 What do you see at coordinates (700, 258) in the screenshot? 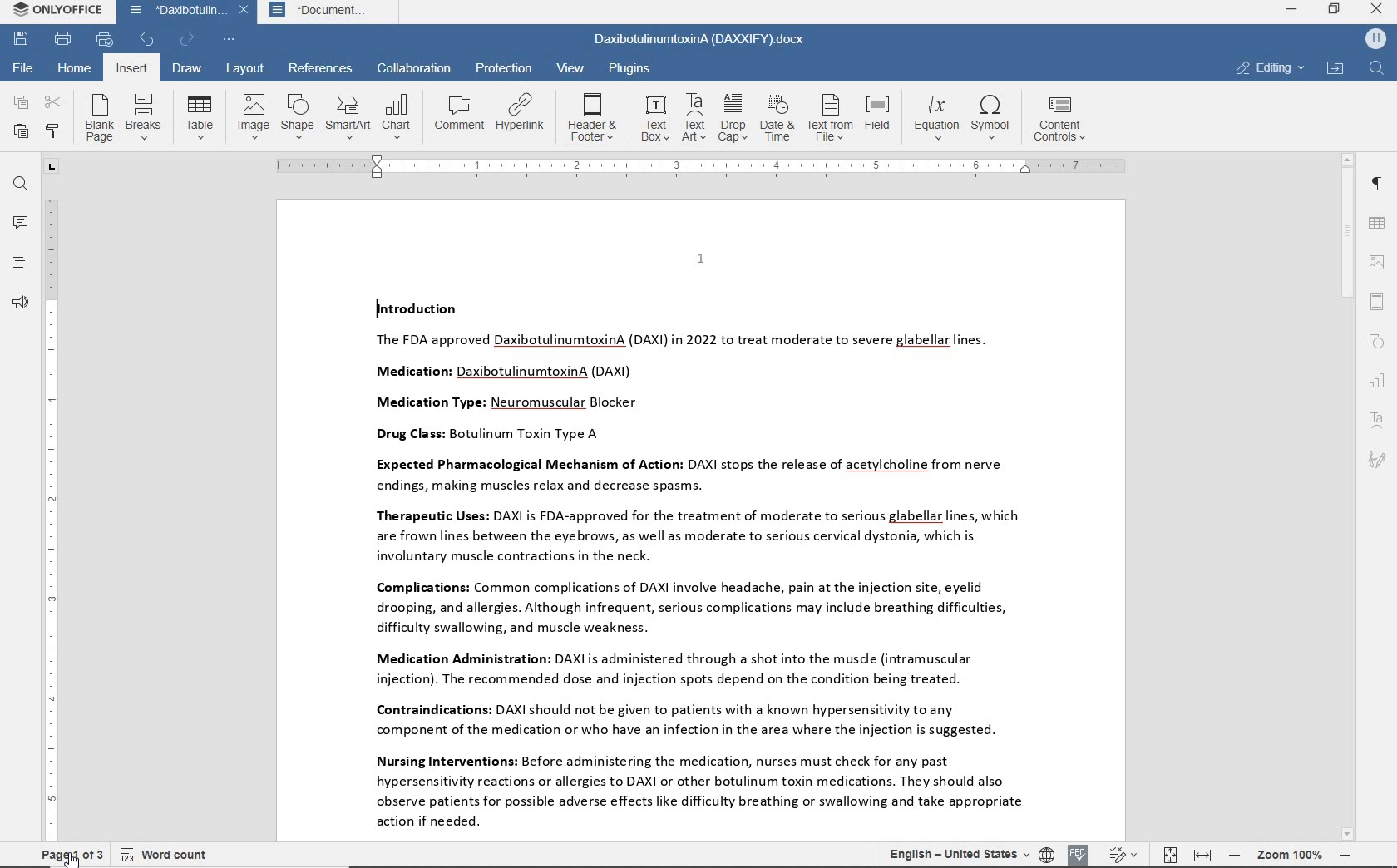
I see `1` at bounding box center [700, 258].